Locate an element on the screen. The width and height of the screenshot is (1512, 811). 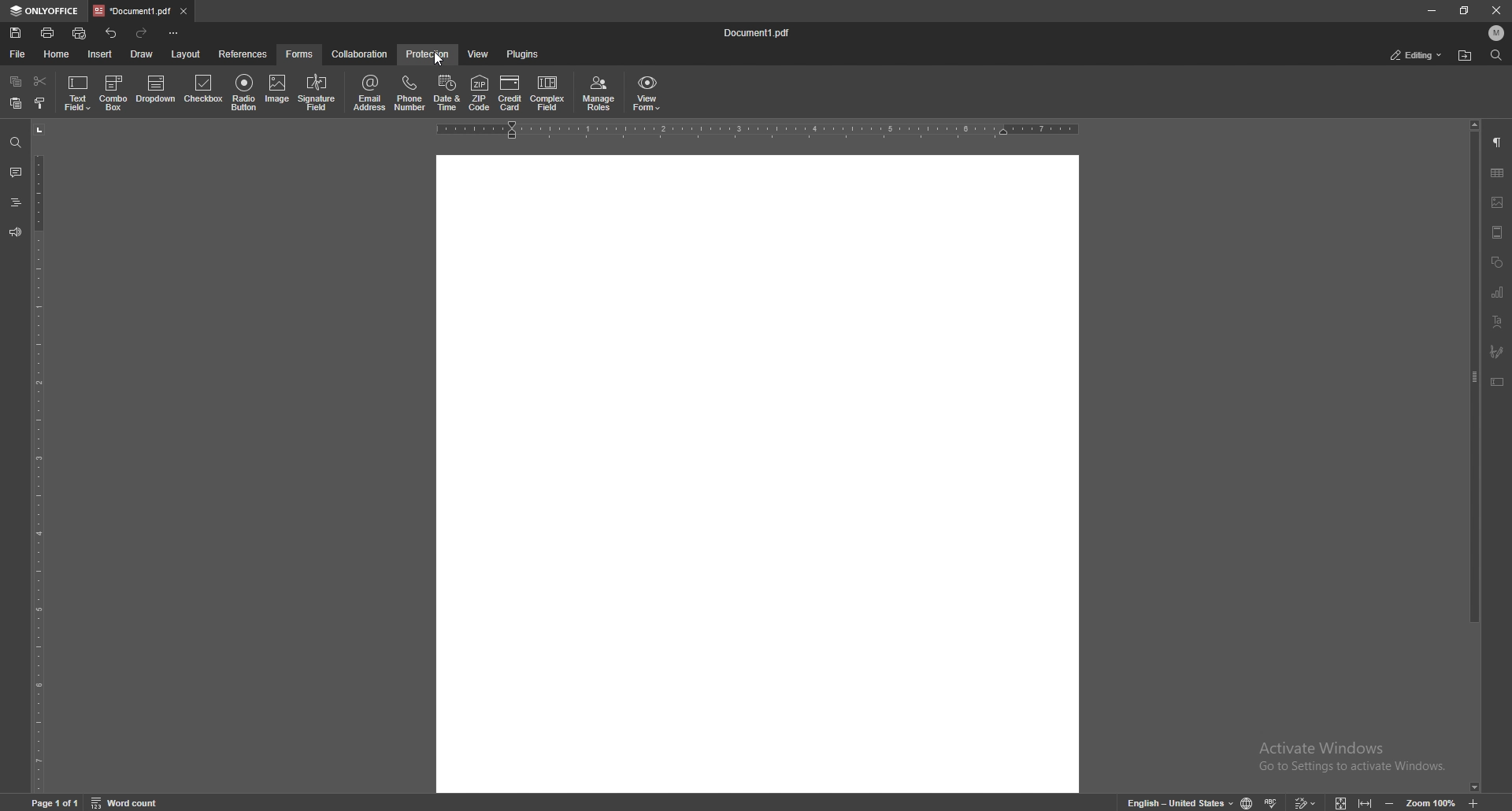
copy style is located at coordinates (41, 103).